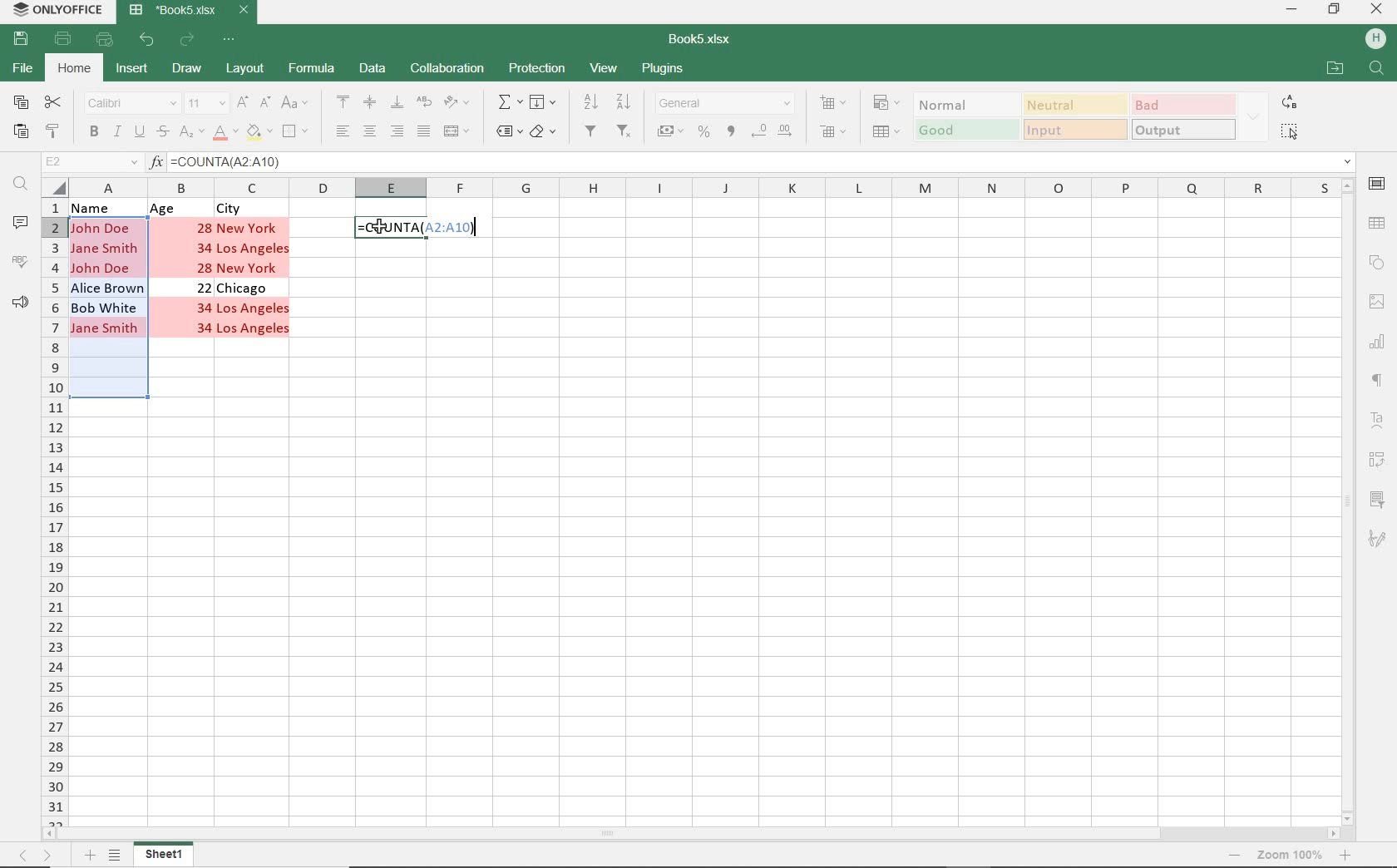 The image size is (1397, 868). I want to click on SORT DESCENDING, so click(626, 101).